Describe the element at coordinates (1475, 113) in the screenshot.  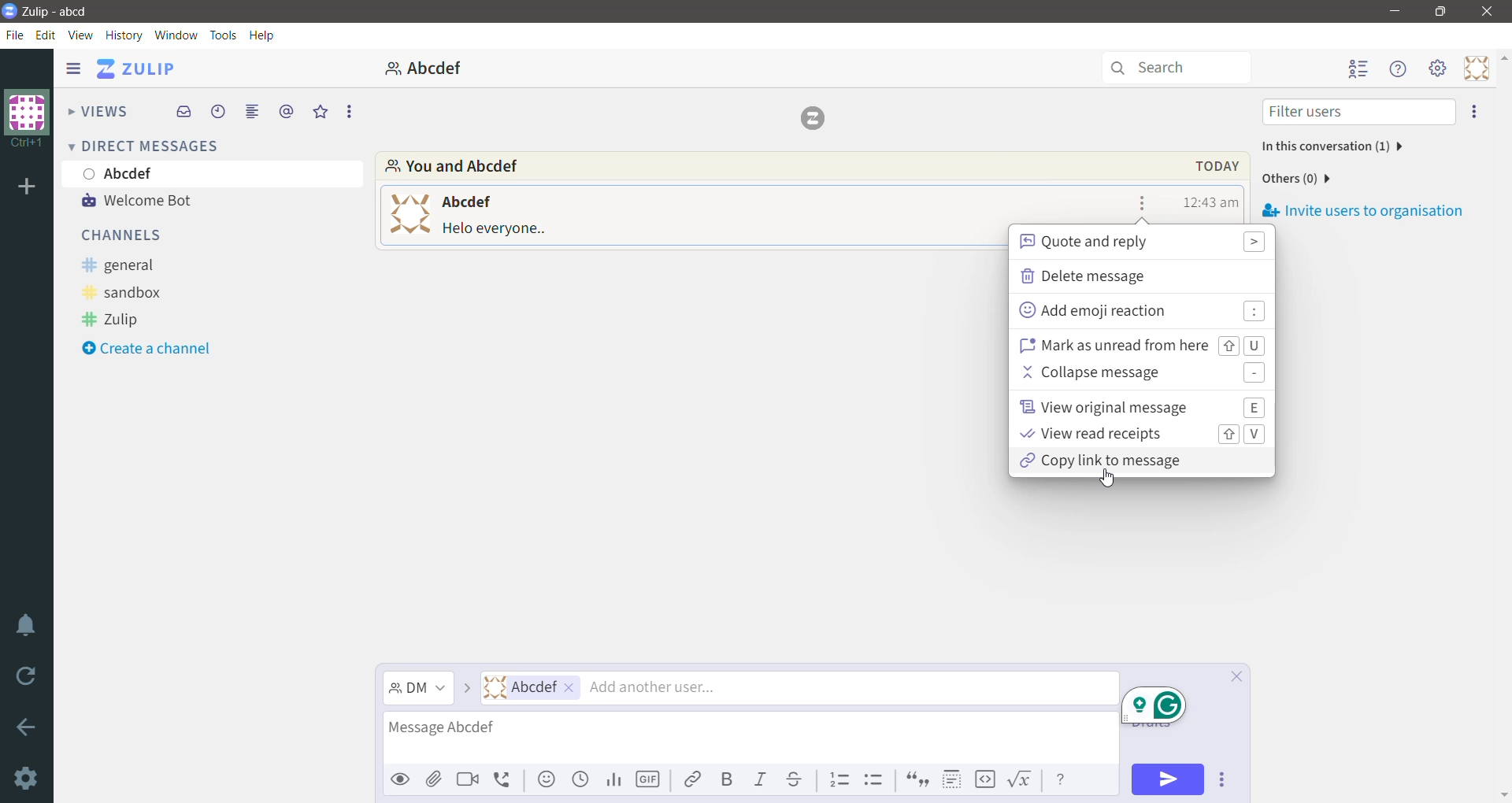
I see `Invite users to organization` at that location.